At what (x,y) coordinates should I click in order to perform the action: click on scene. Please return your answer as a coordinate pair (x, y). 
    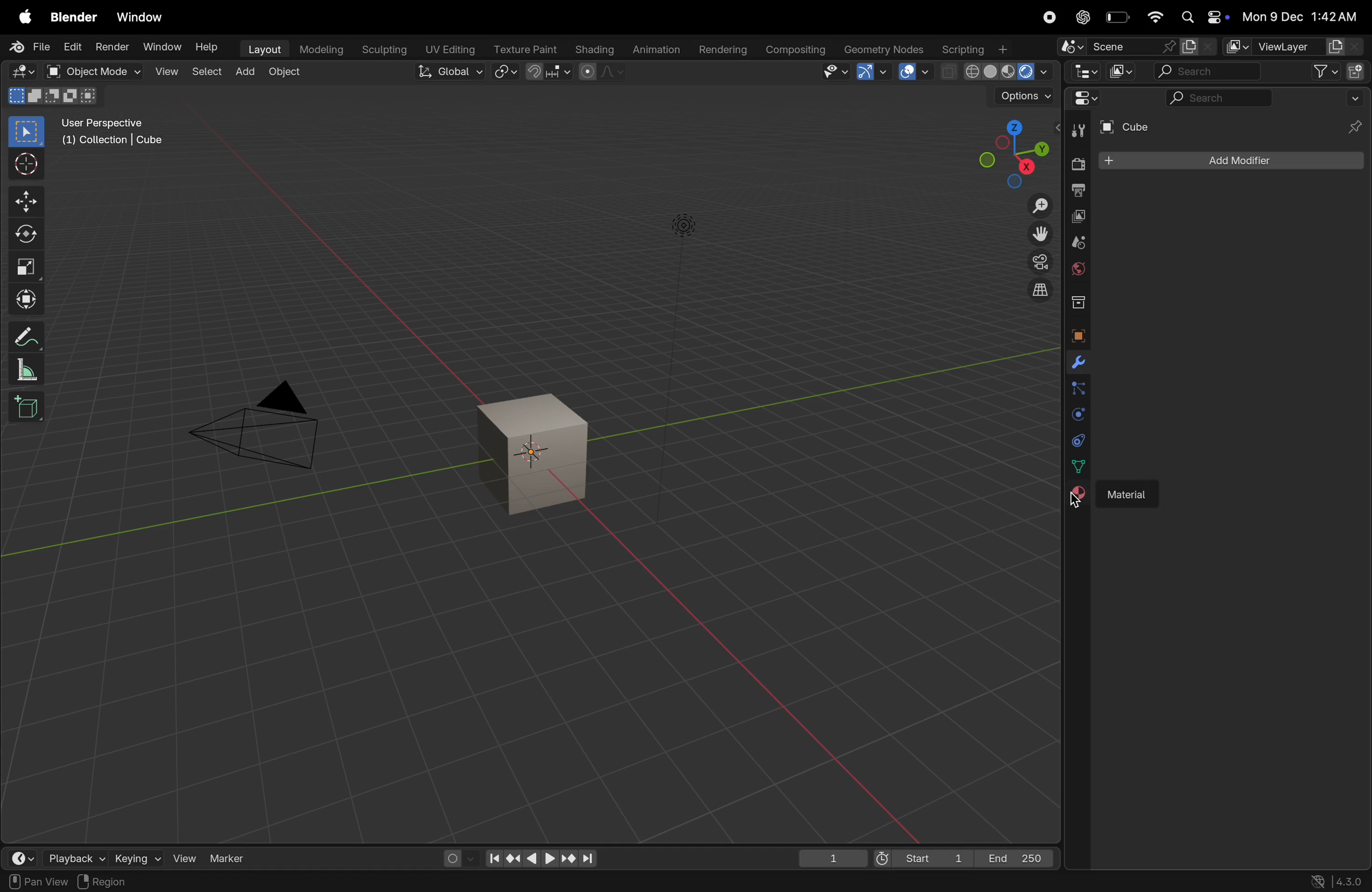
    Looking at the image, I should click on (1132, 46).